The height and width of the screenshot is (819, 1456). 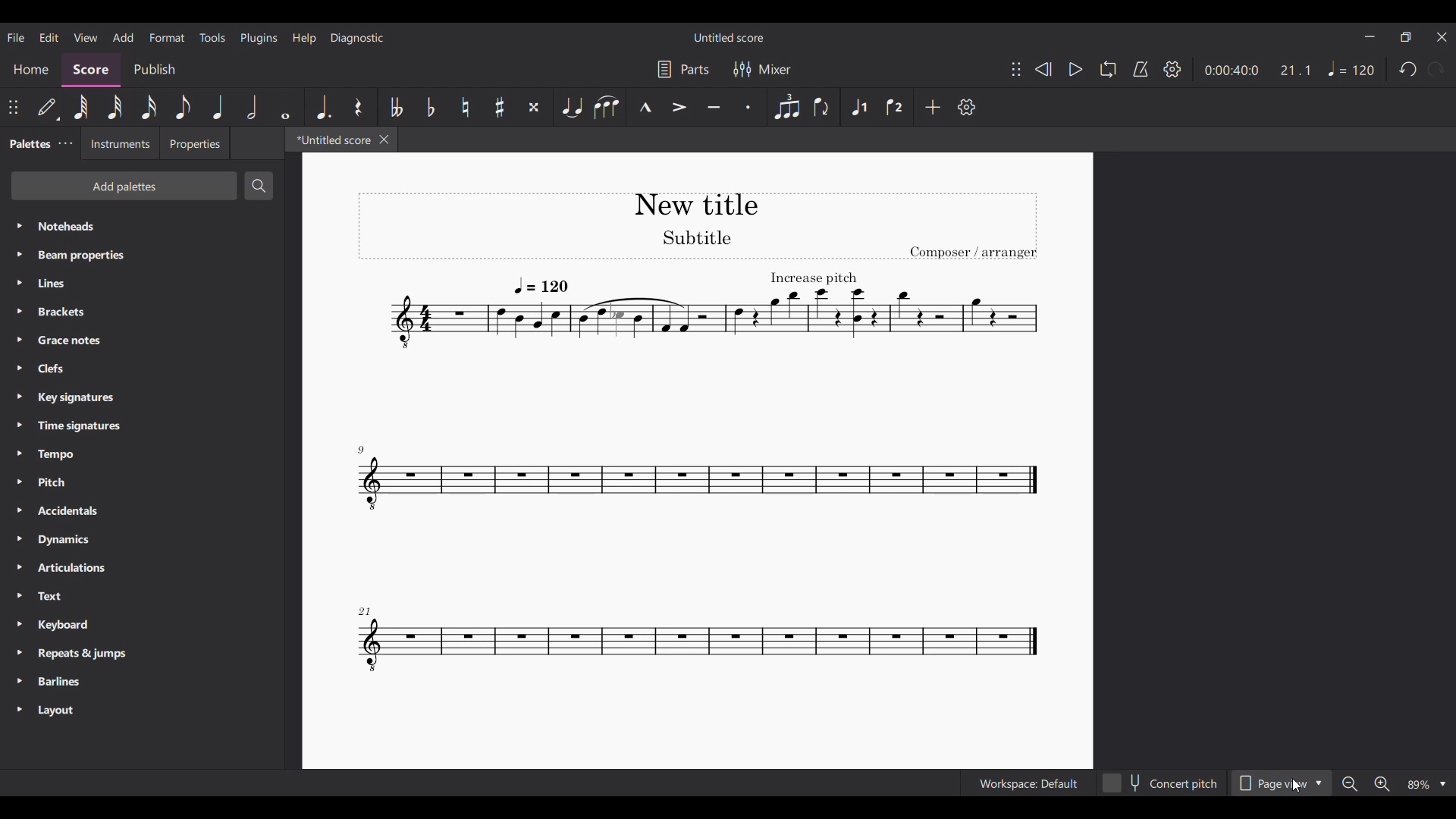 I want to click on Toggle double flat, so click(x=394, y=107).